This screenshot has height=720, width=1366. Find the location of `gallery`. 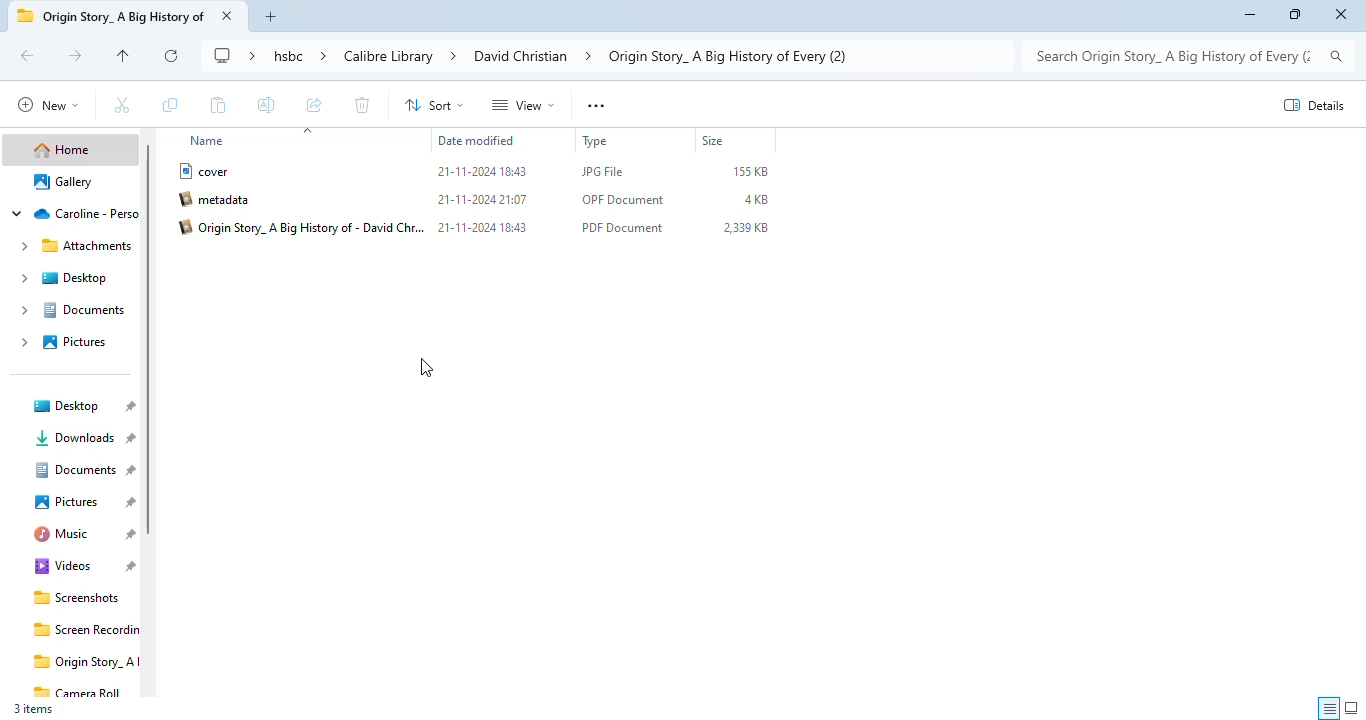

gallery is located at coordinates (61, 181).